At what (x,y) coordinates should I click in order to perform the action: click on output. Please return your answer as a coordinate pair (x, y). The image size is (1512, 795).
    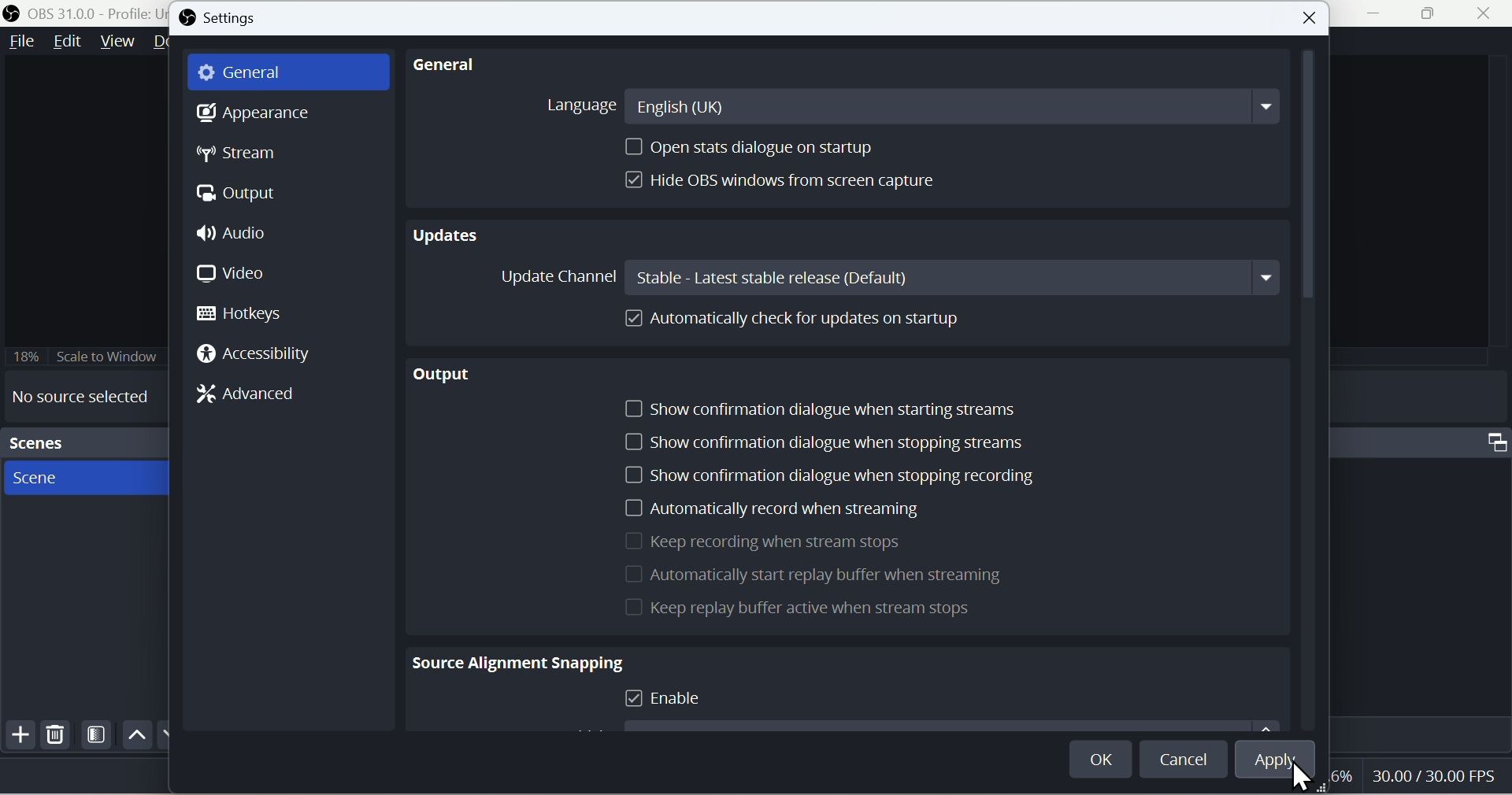
    Looking at the image, I should click on (438, 374).